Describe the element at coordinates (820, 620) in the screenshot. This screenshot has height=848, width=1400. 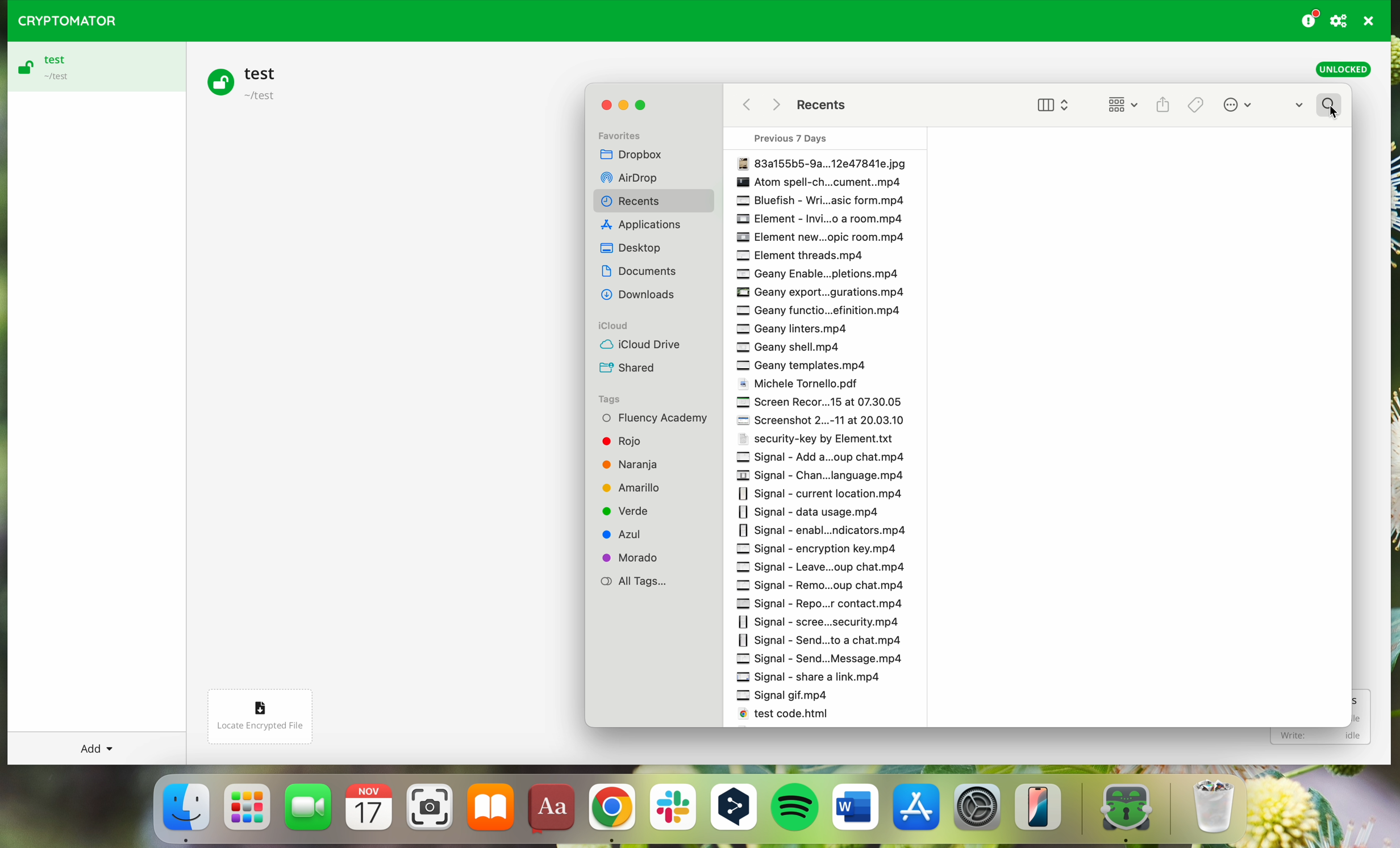
I see `Signal Scene` at that location.